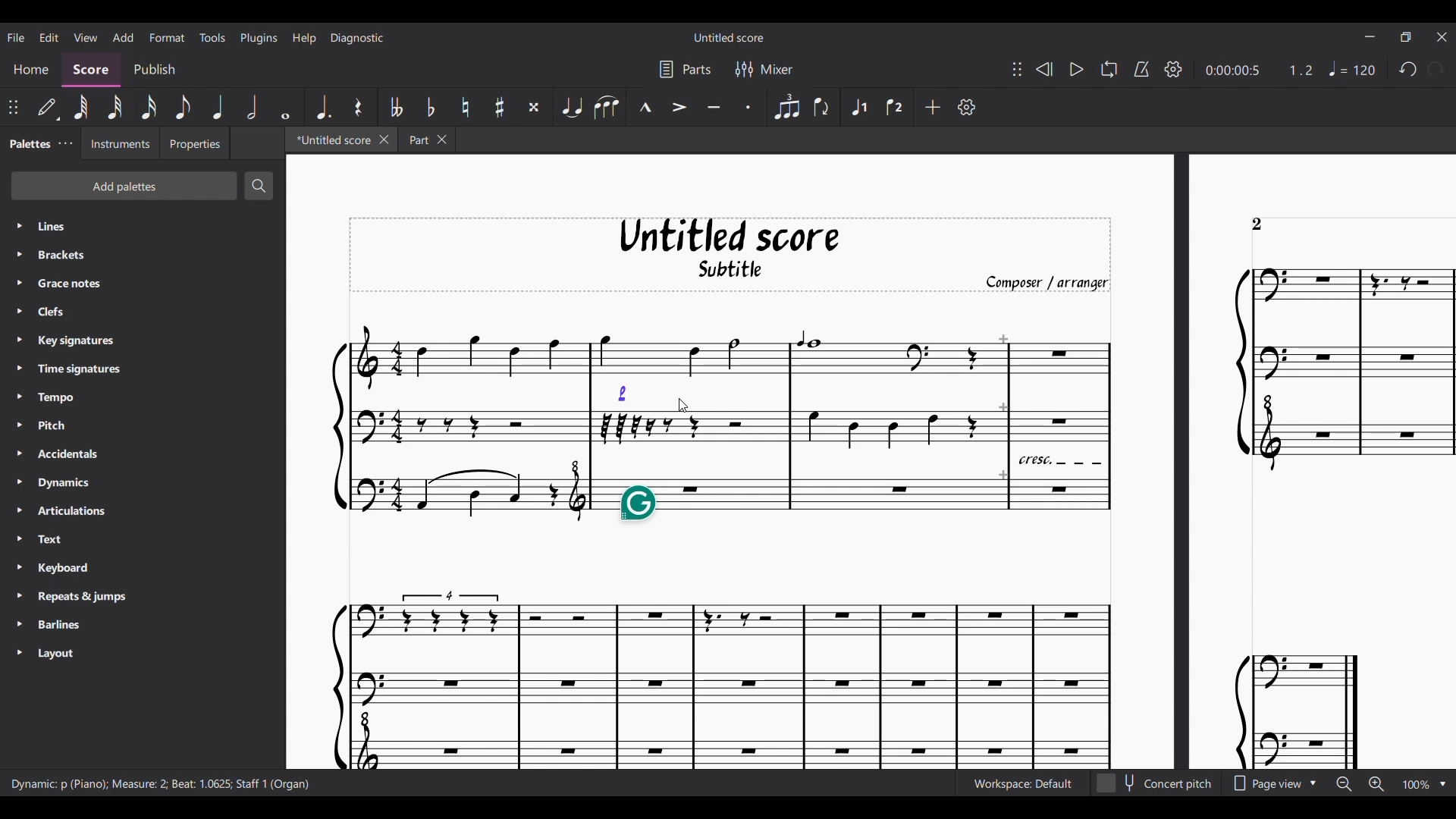 This screenshot has height=819, width=1456. Describe the element at coordinates (157, 441) in the screenshot. I see `Palette list` at that location.